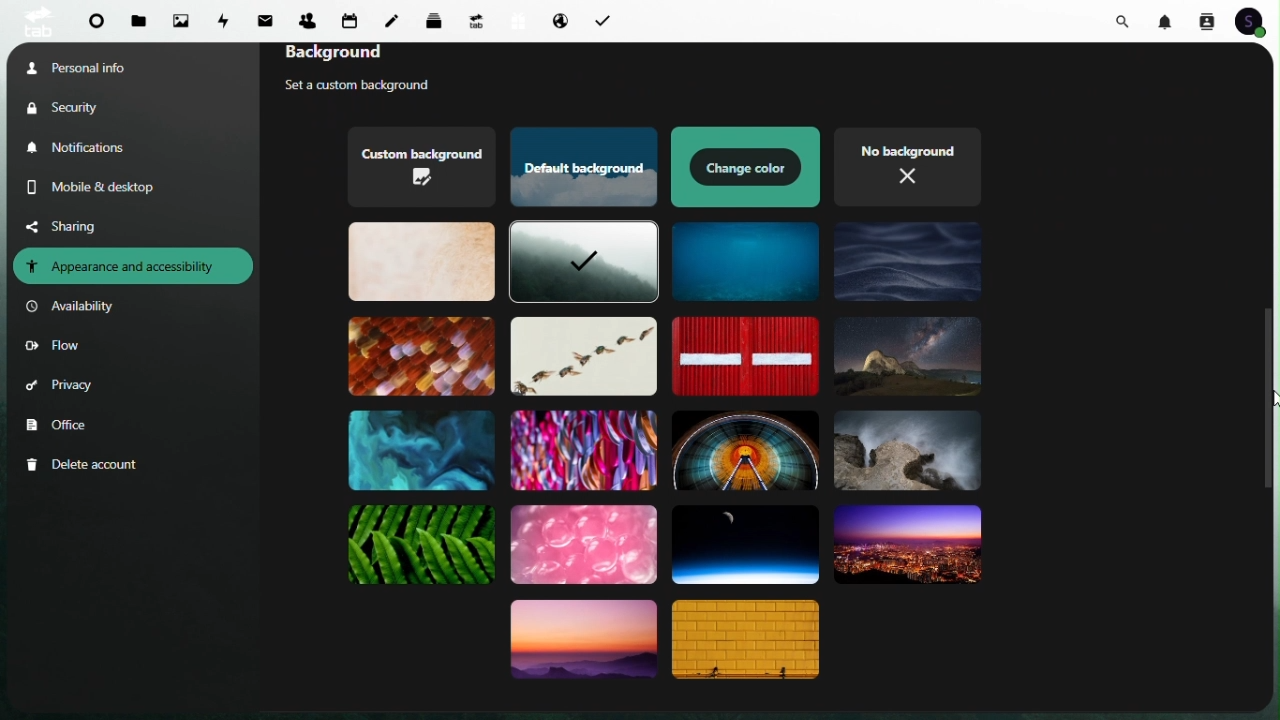 The height and width of the screenshot is (720, 1280). What do you see at coordinates (269, 19) in the screenshot?
I see `mail` at bounding box center [269, 19].